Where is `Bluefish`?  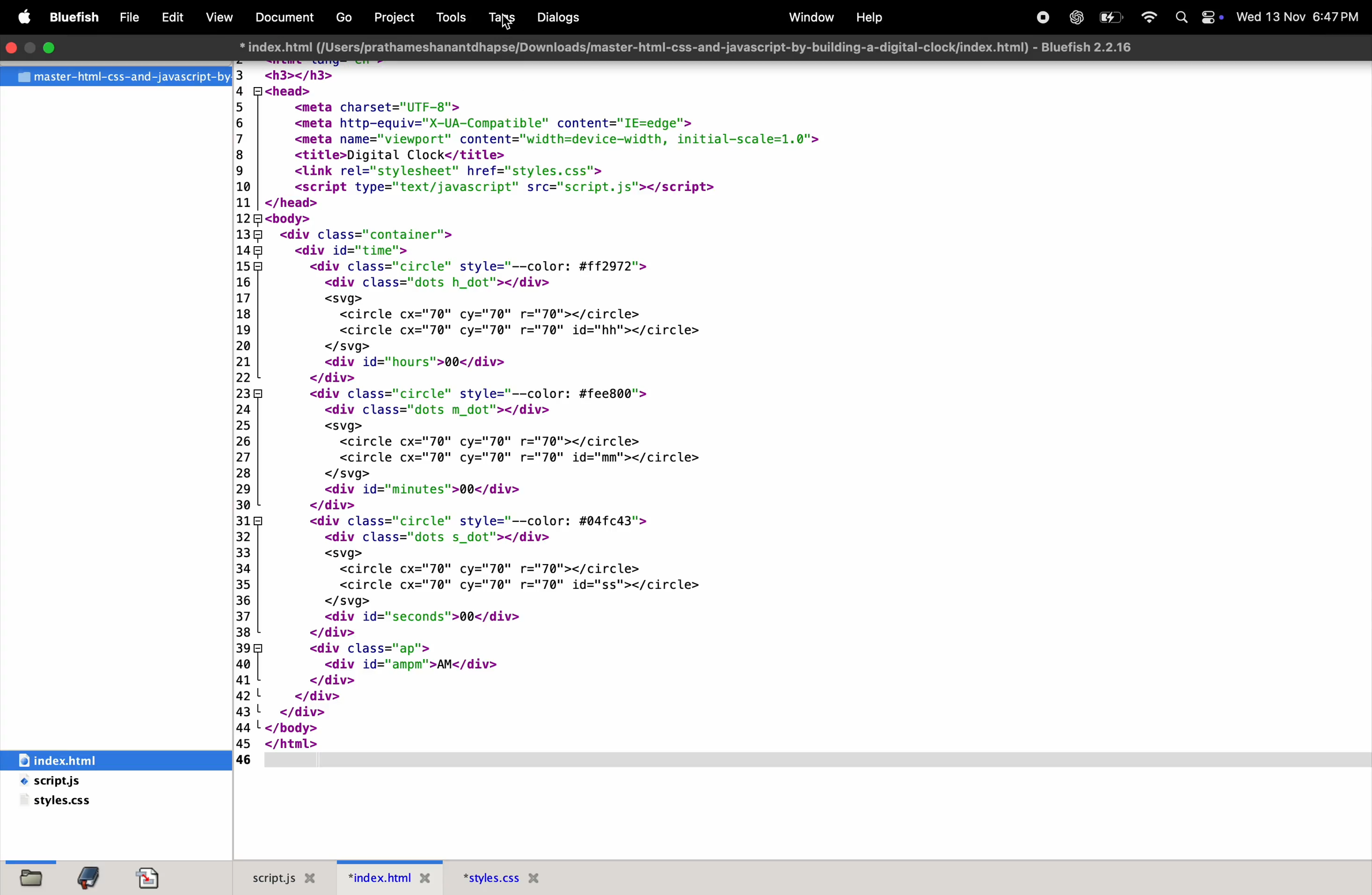
Bluefish is located at coordinates (79, 16).